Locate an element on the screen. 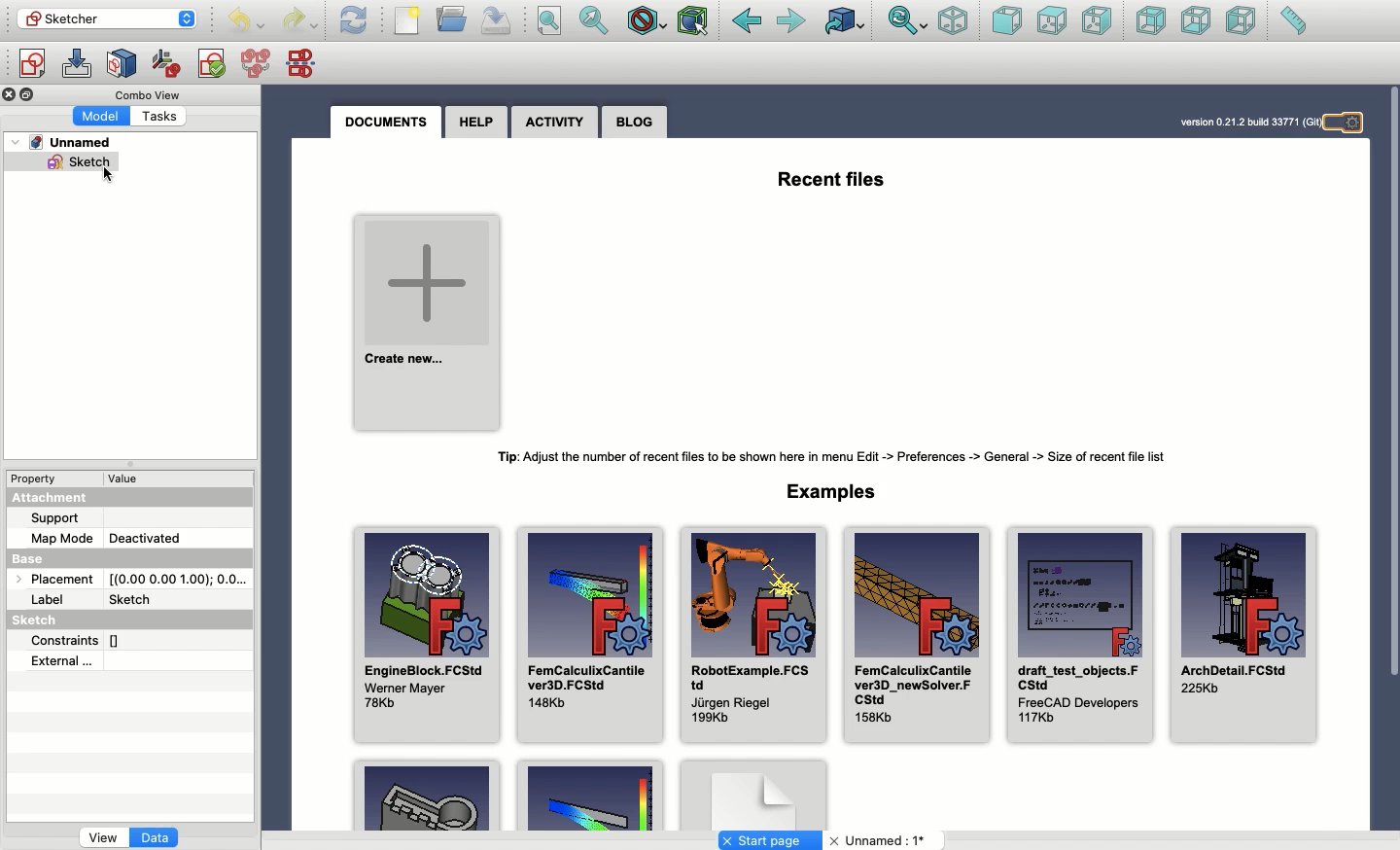 This screenshot has height=850, width=1400. Back is located at coordinates (747, 21).